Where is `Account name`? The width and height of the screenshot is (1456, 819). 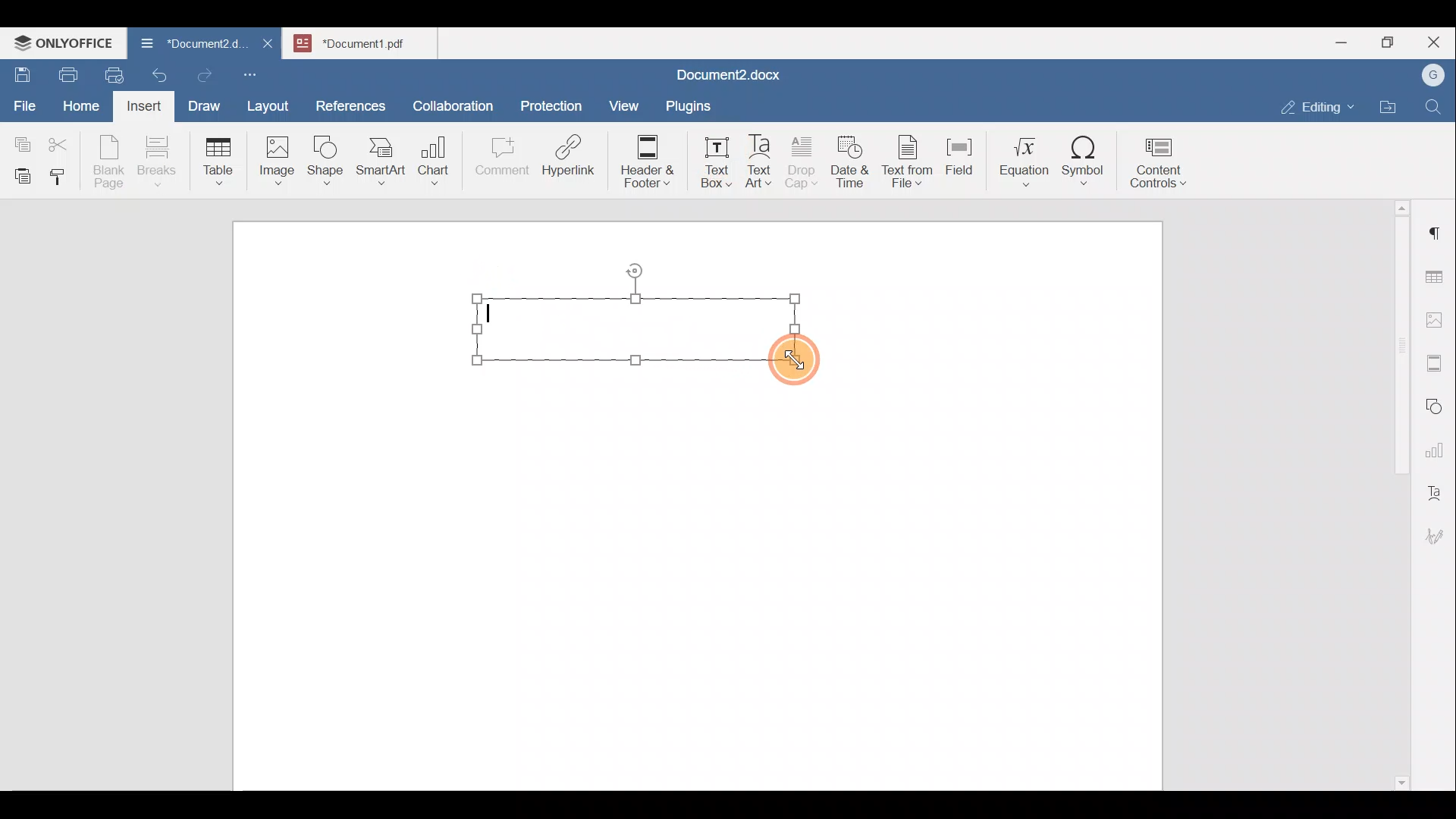 Account name is located at coordinates (1429, 76).